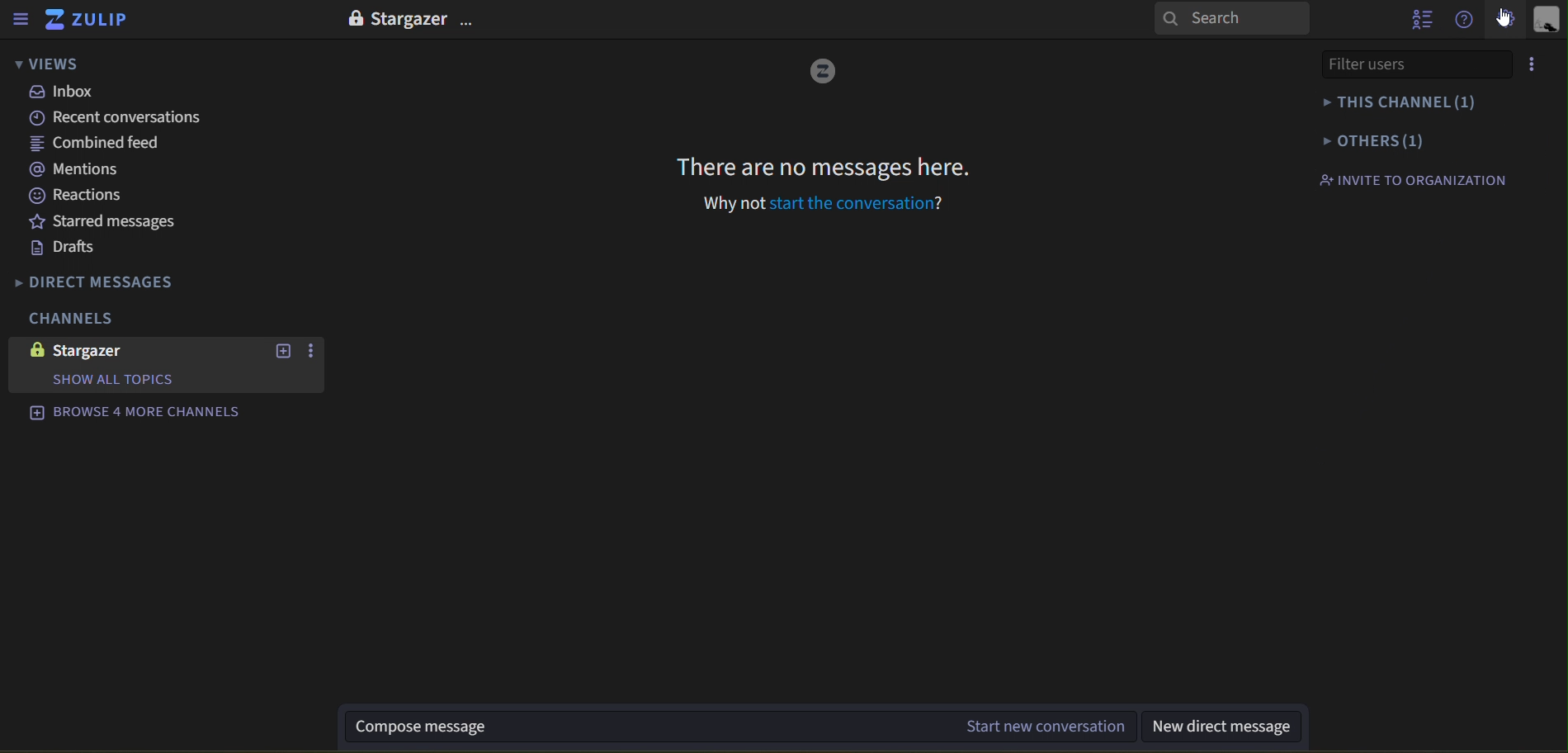 The image size is (1568, 753). What do you see at coordinates (1421, 19) in the screenshot?
I see `hide user list` at bounding box center [1421, 19].